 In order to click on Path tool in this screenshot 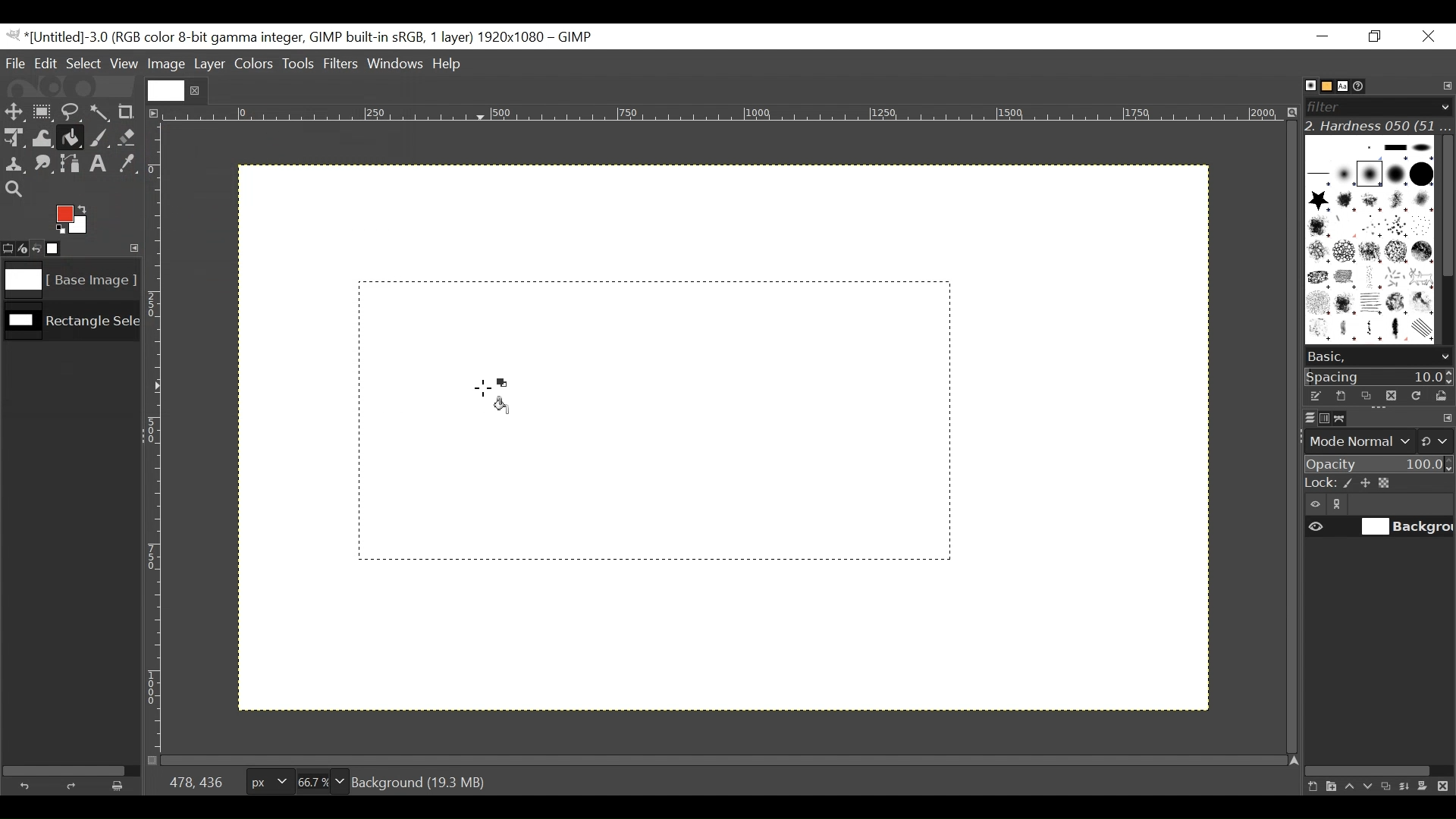, I will do `click(72, 164)`.